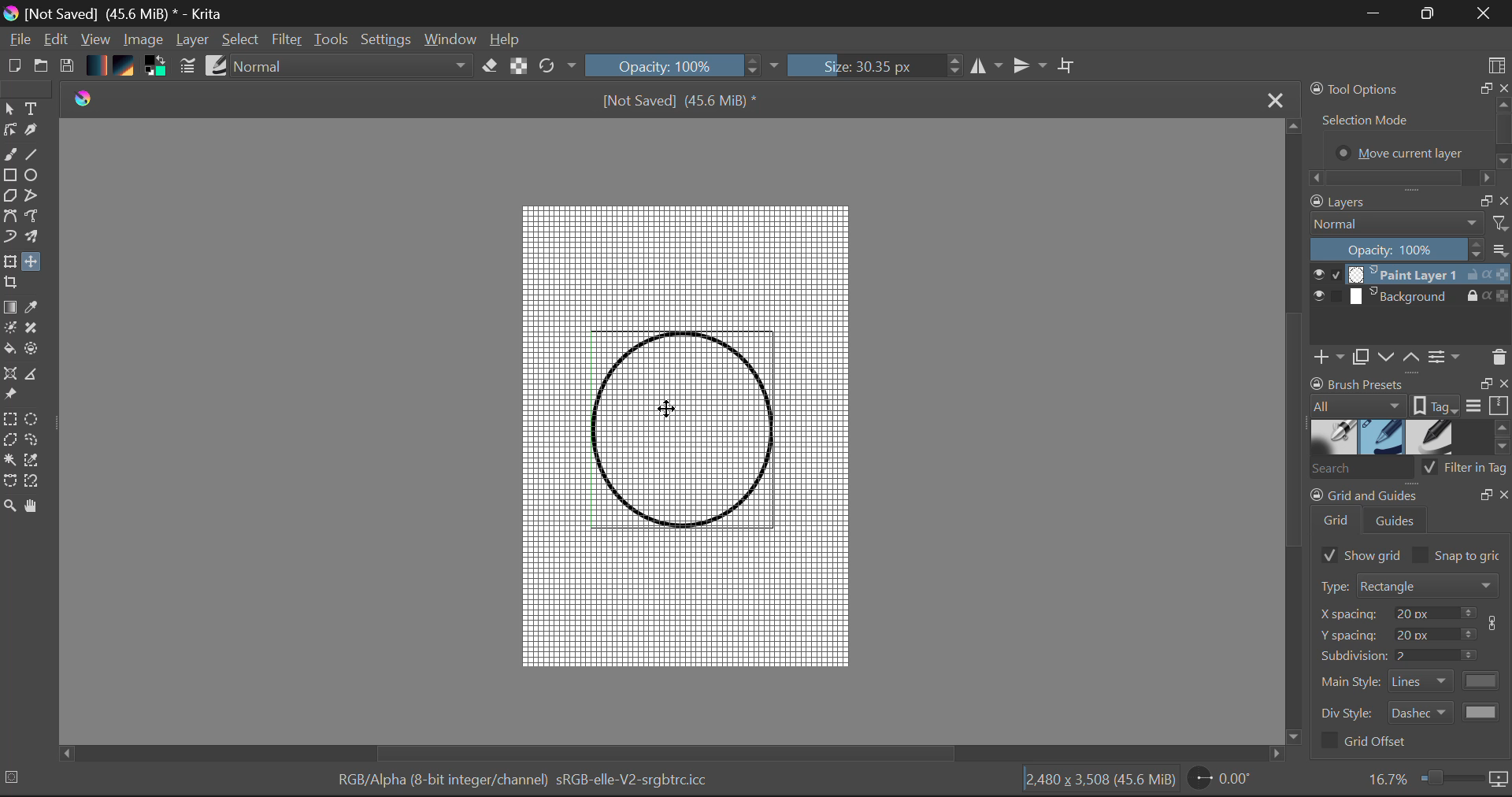 The image size is (1512, 797). I want to click on Show Grid Selected, so click(1357, 554).